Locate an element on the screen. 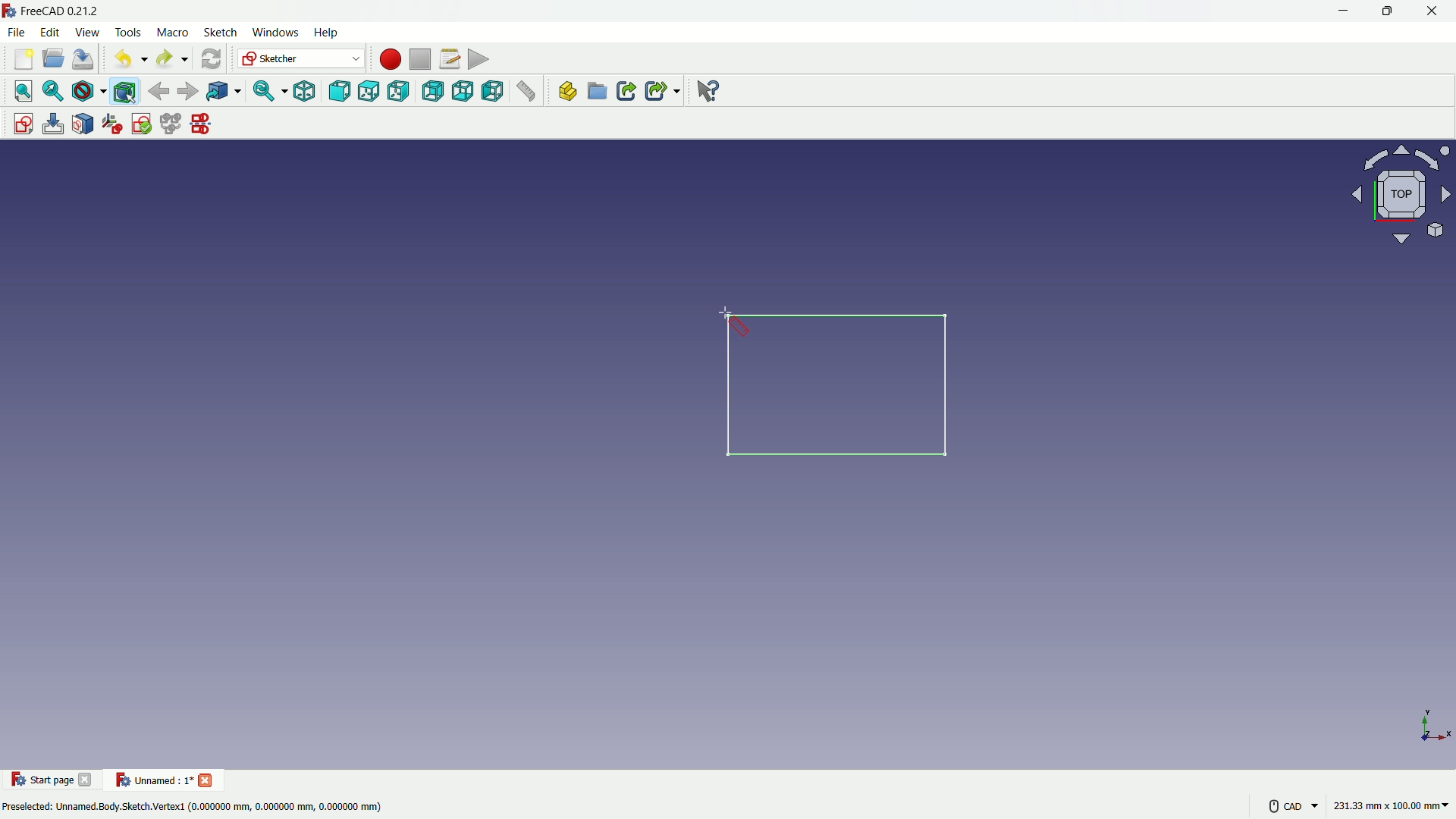 The width and height of the screenshot is (1456, 819). rotate or change view is located at coordinates (1384, 196).